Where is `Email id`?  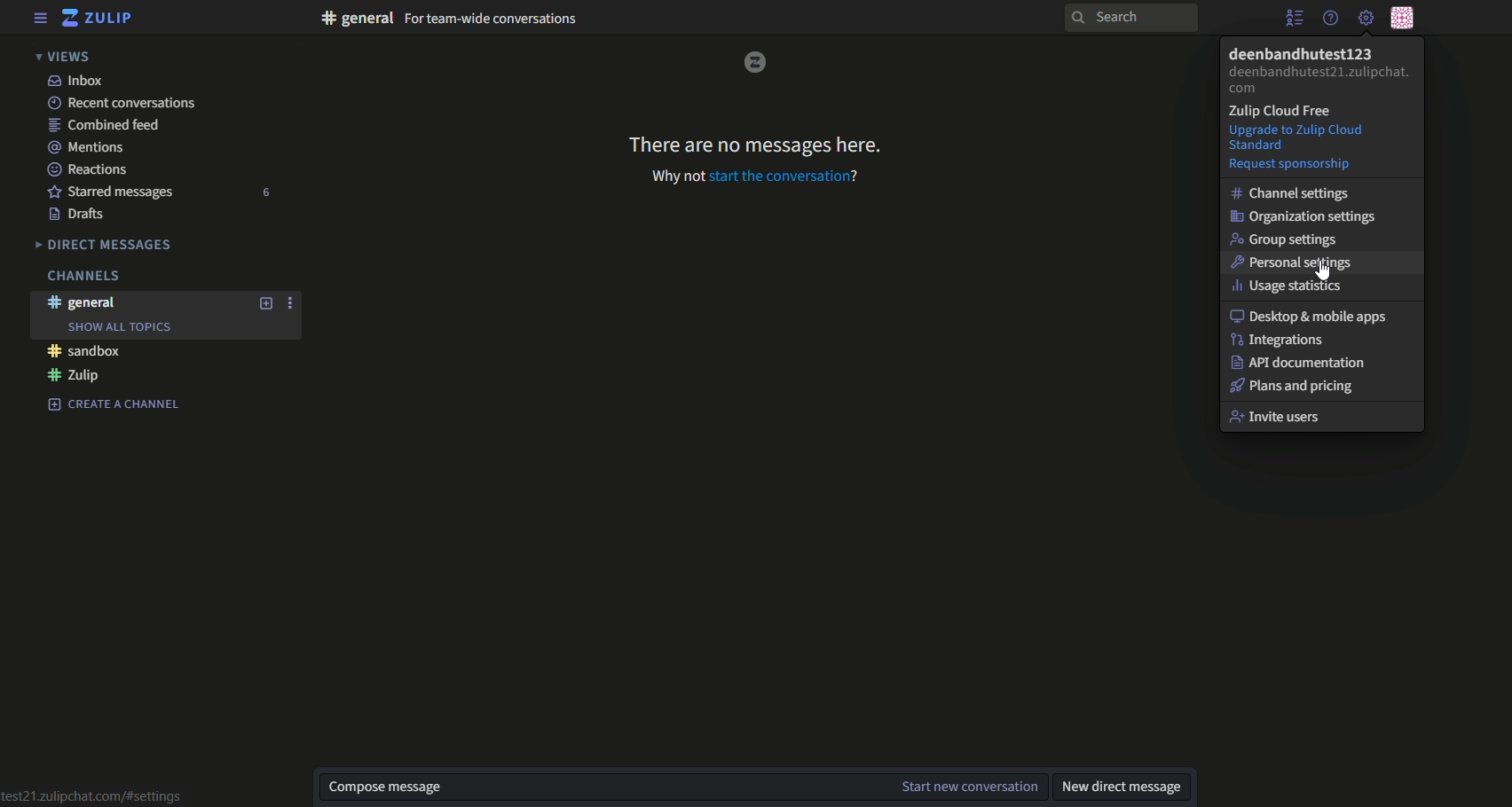 Email id is located at coordinates (1320, 82).